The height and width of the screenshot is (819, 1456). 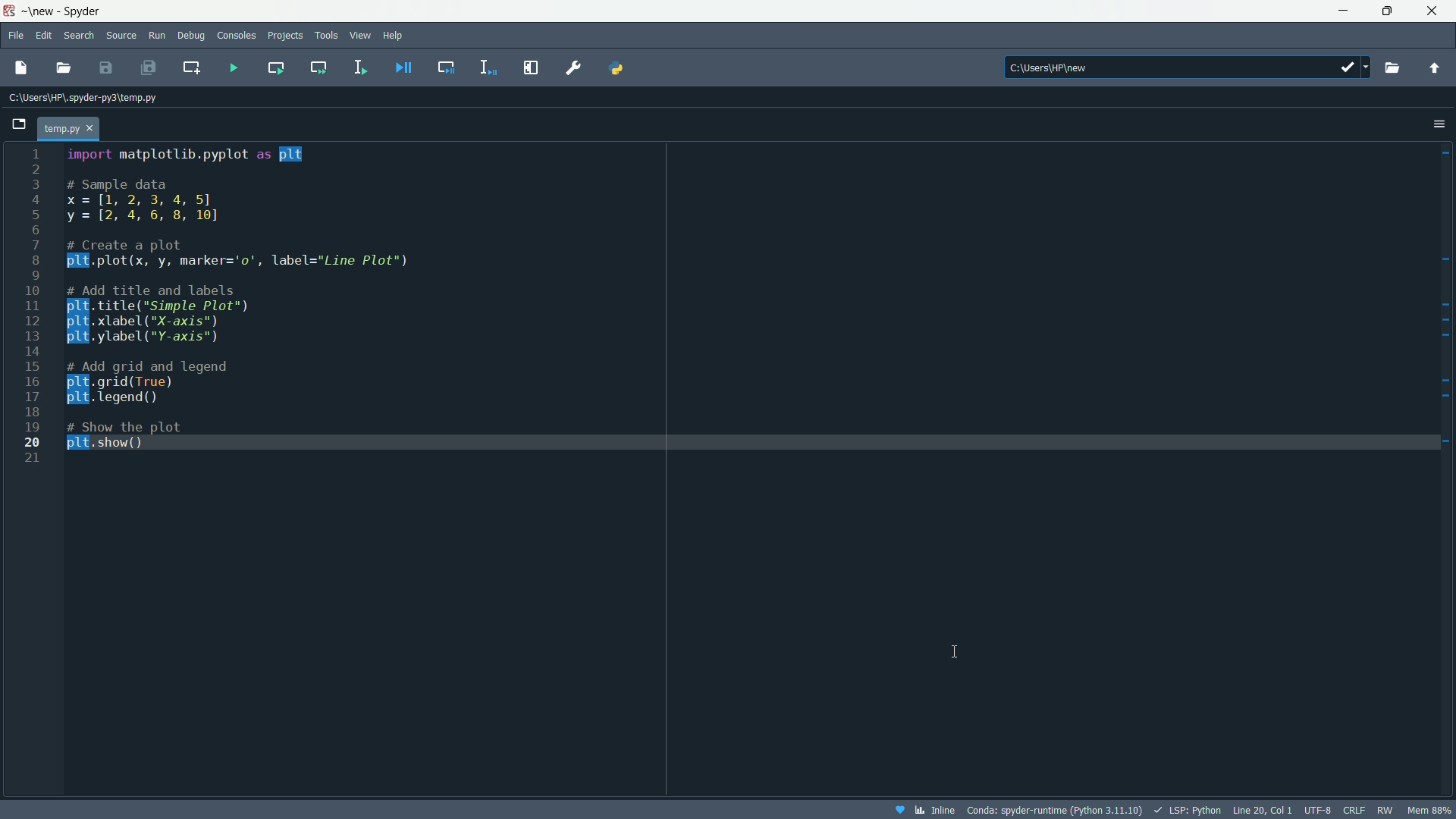 What do you see at coordinates (1392, 67) in the screenshot?
I see `browse directory` at bounding box center [1392, 67].